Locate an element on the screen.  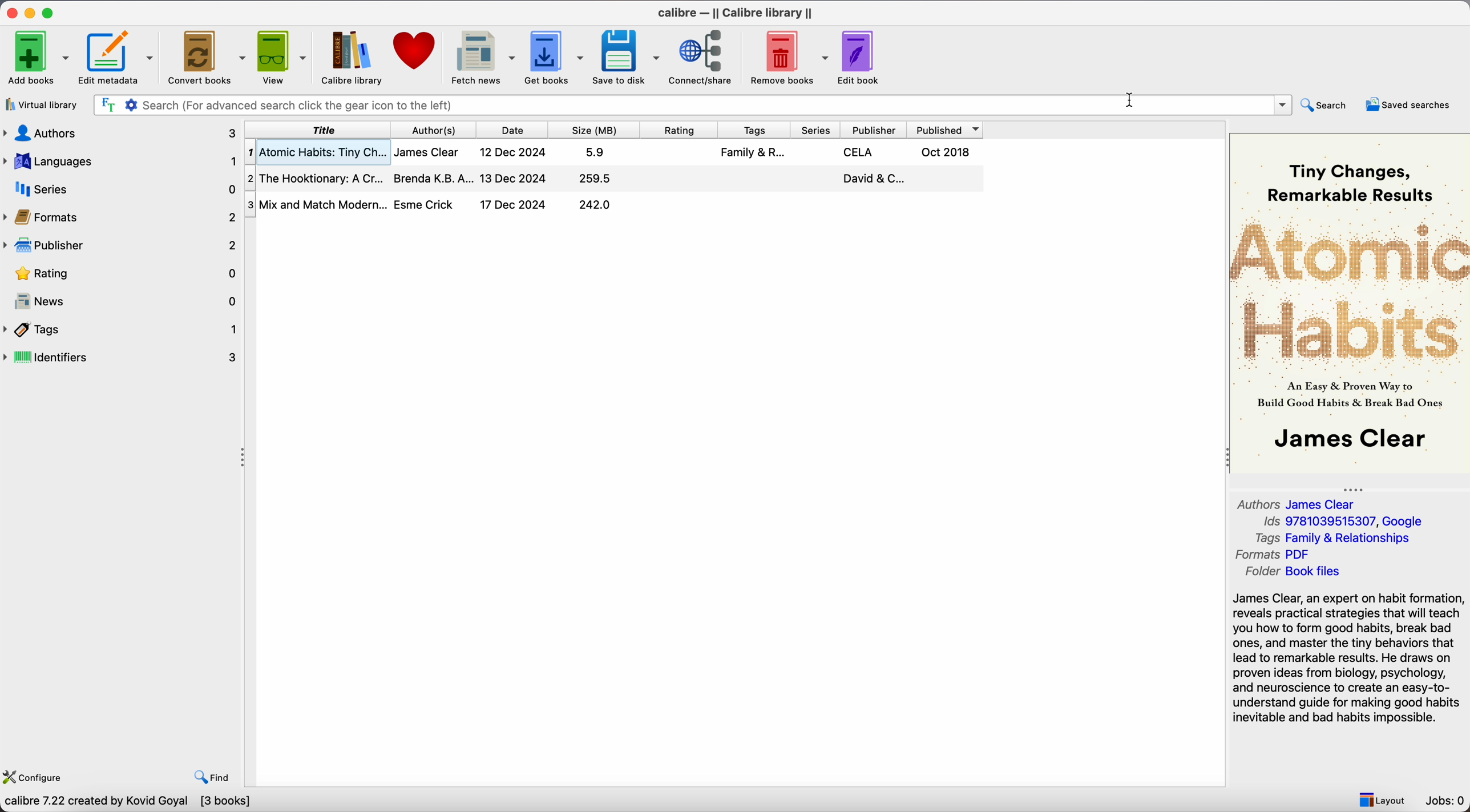
maximize is located at coordinates (50, 11).